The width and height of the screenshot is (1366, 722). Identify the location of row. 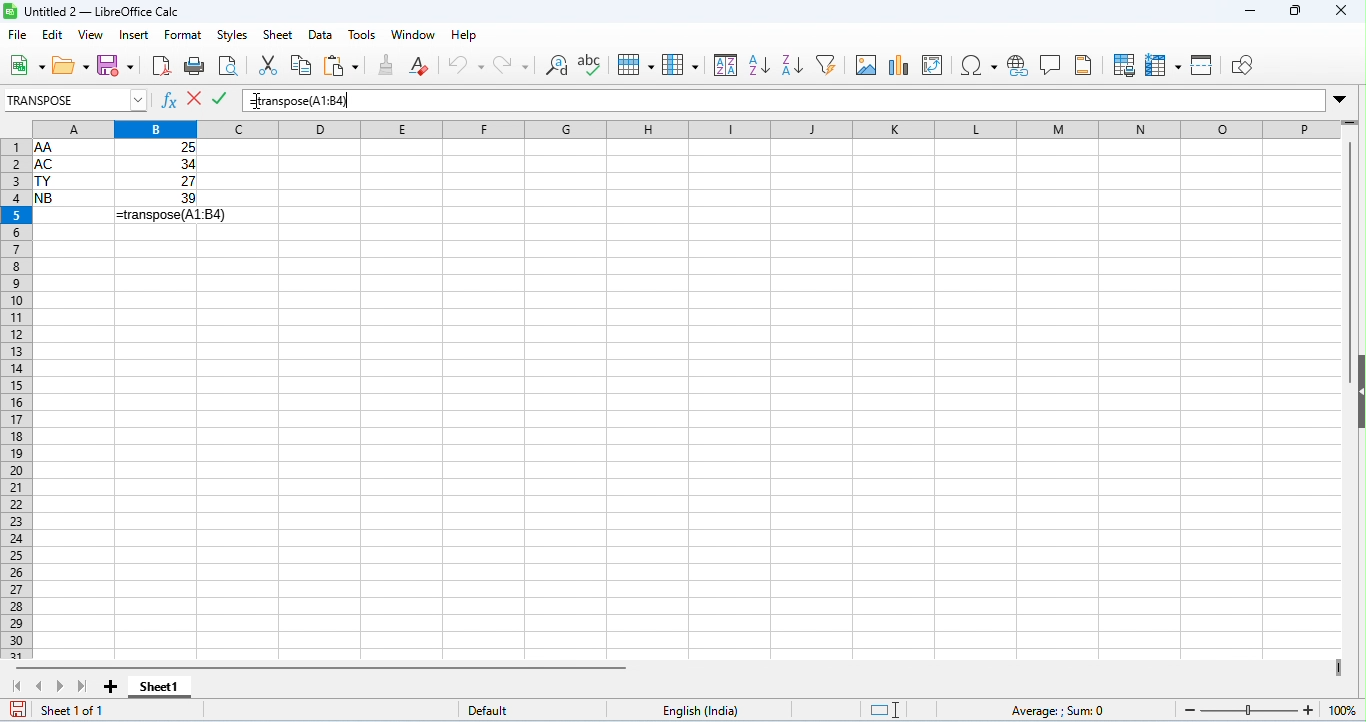
(636, 65).